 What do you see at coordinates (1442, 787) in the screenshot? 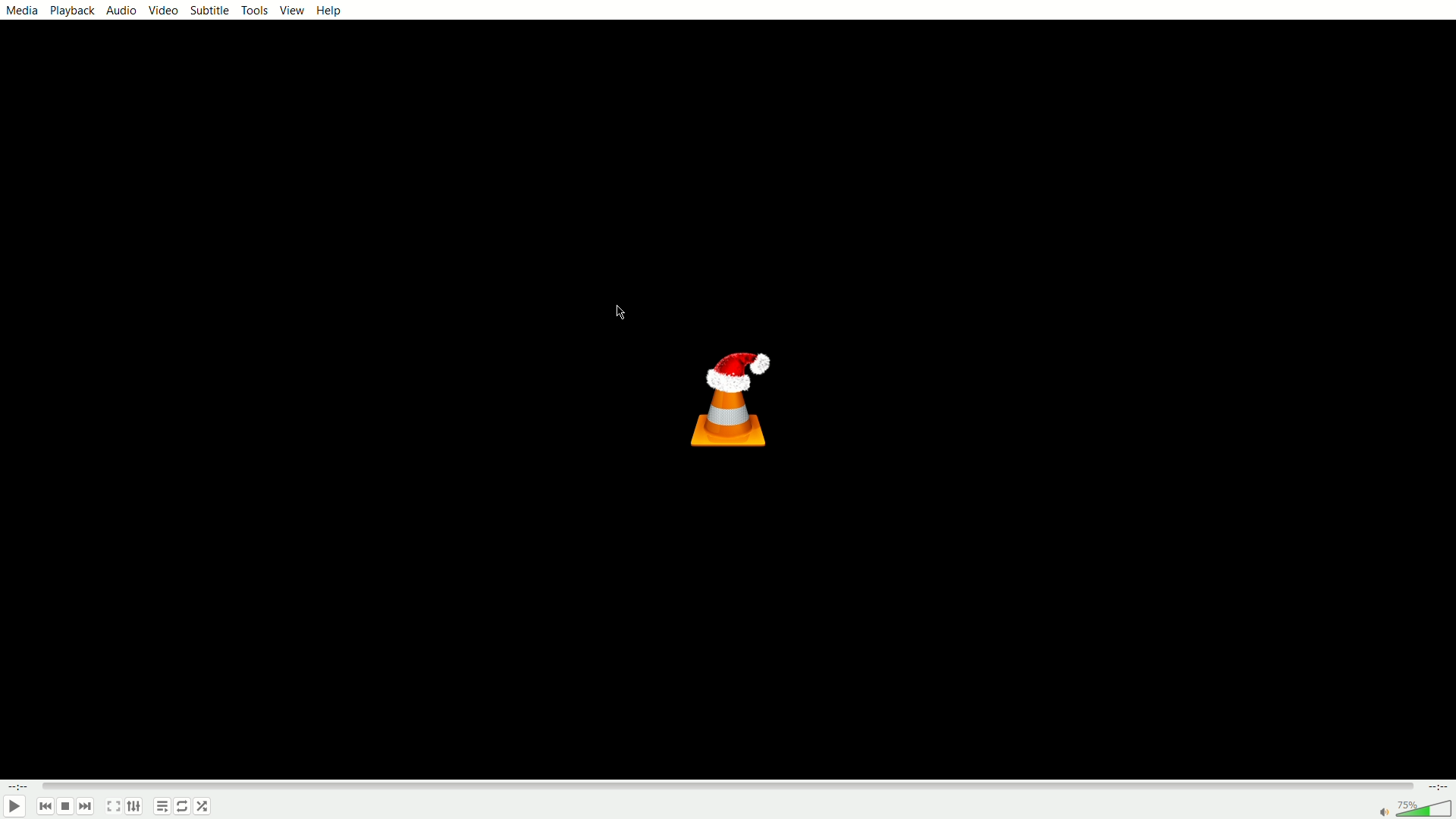
I see `total time` at bounding box center [1442, 787].